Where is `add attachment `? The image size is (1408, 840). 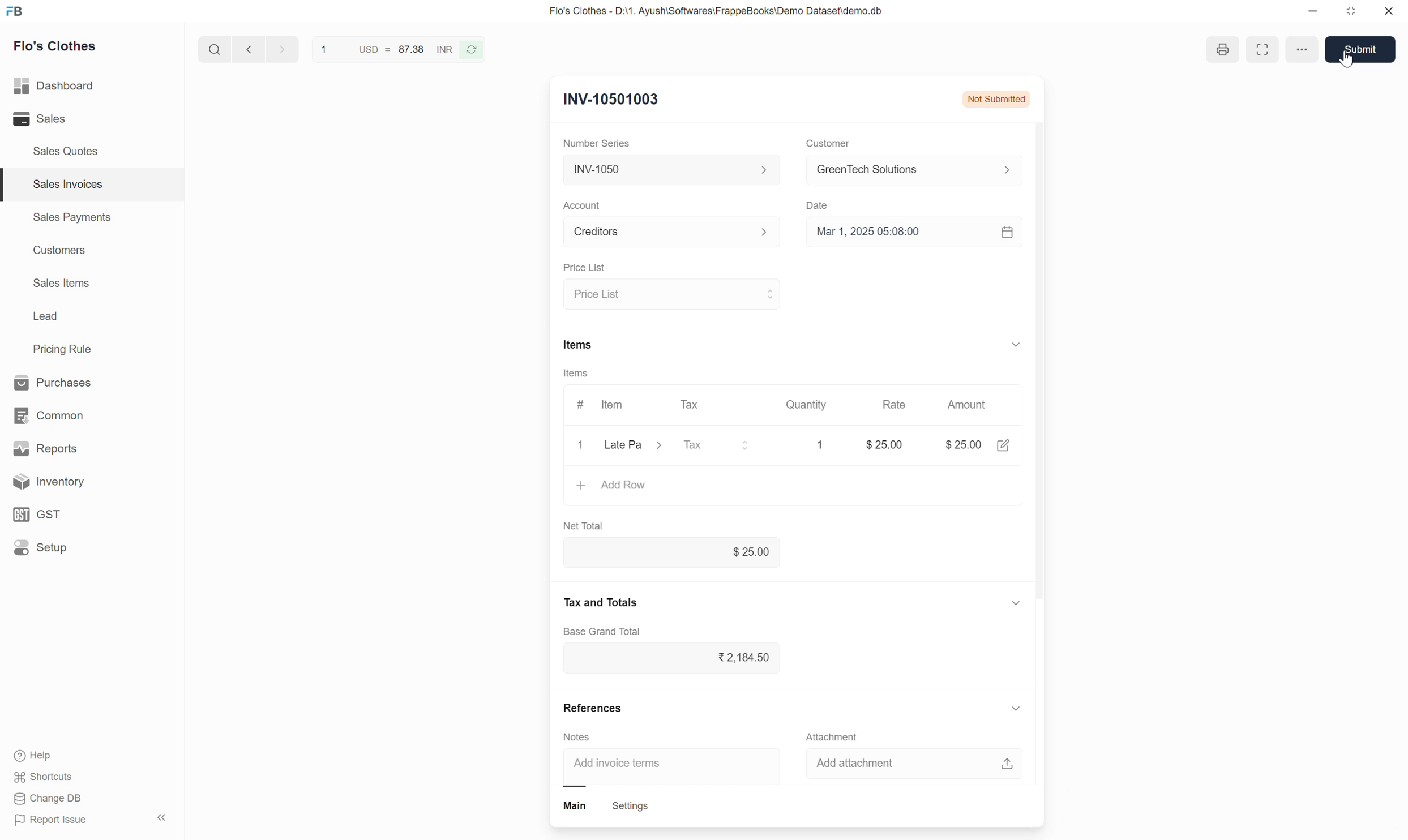
add attachment  is located at coordinates (917, 765).